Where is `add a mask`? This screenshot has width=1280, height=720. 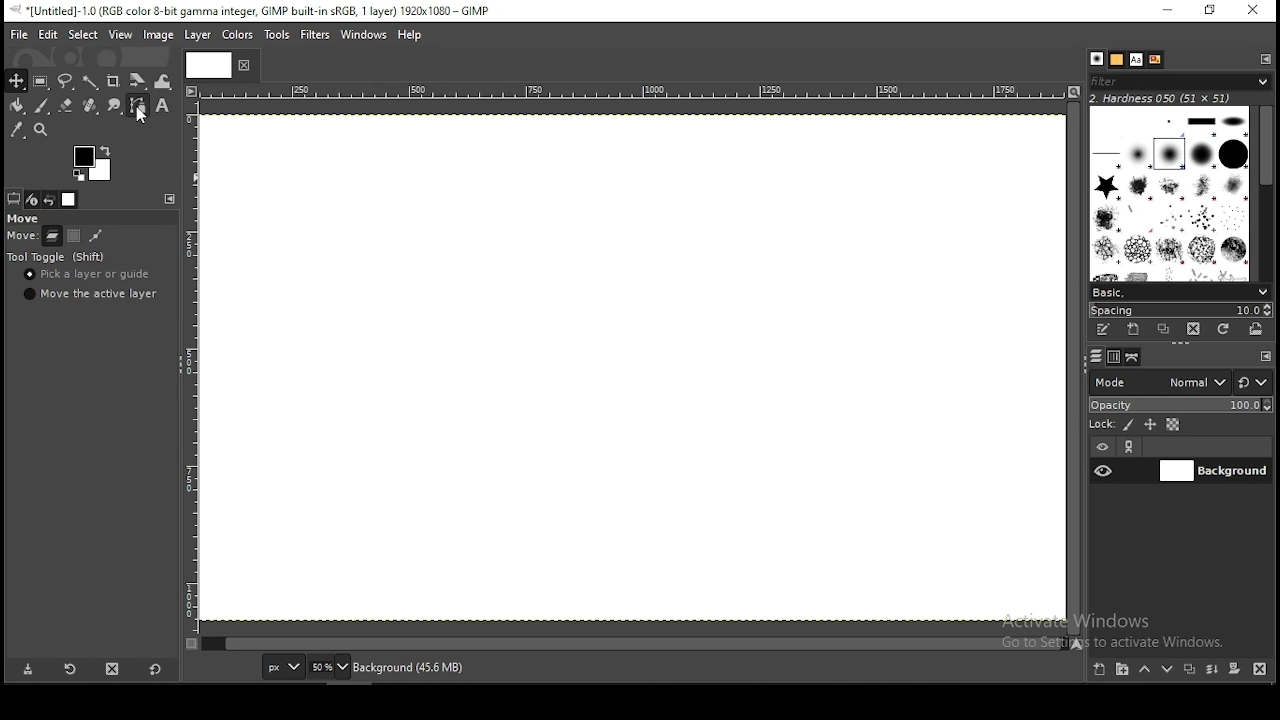 add a mask is located at coordinates (1235, 669).